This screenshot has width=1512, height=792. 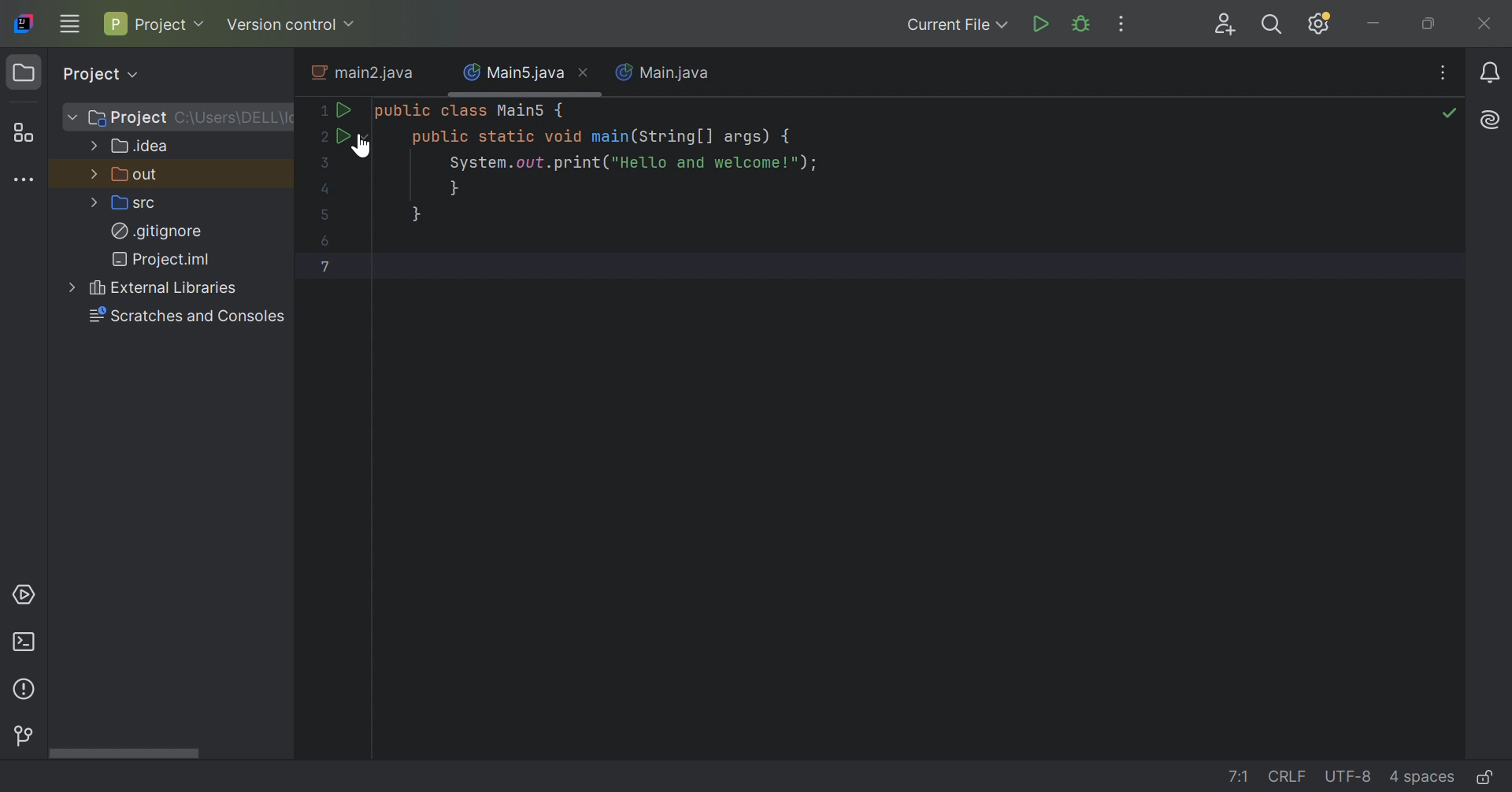 I want to click on Terminal, so click(x=27, y=643).